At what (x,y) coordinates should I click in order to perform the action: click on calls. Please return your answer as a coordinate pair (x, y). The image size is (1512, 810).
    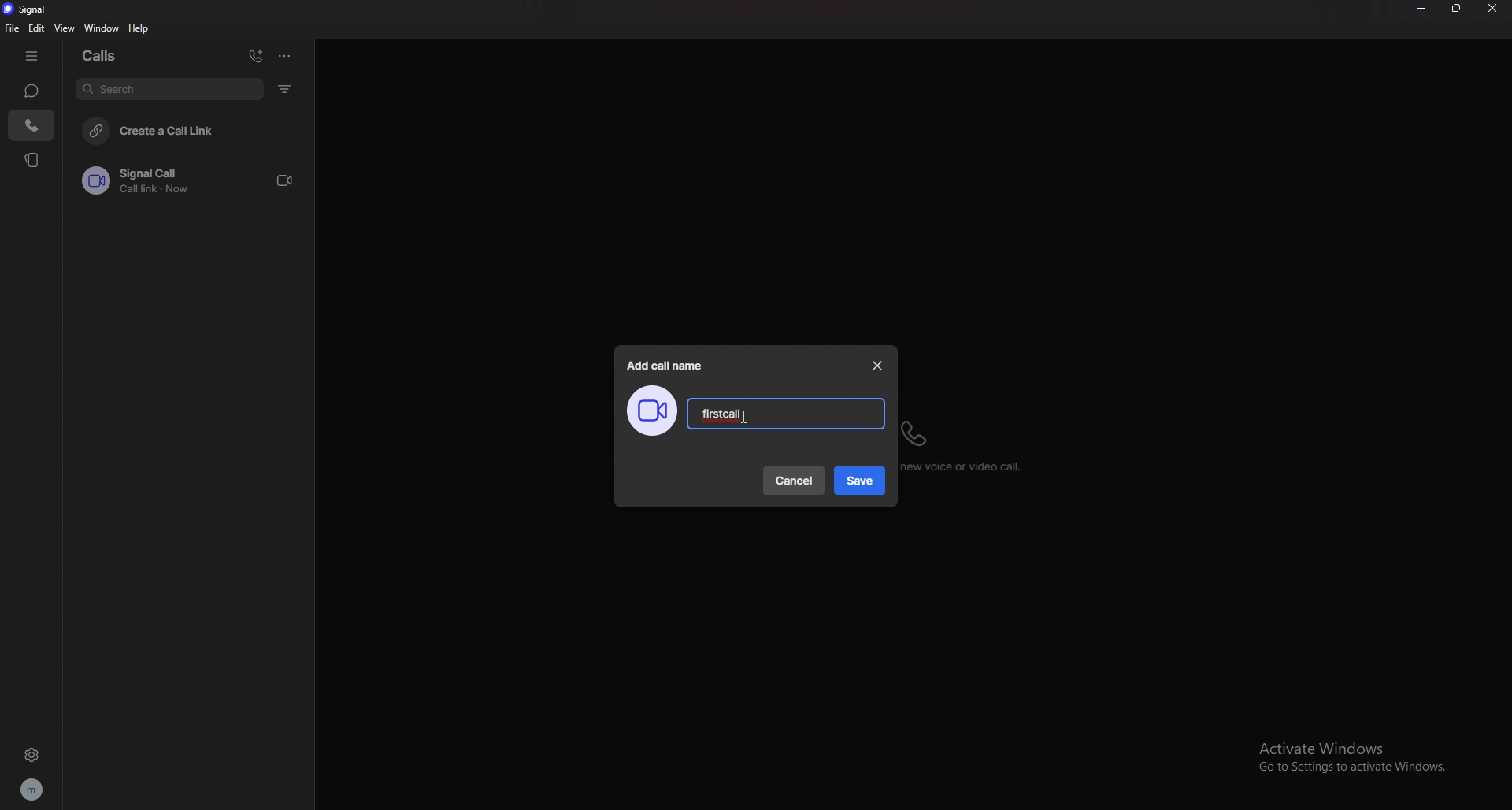
    Looking at the image, I should click on (105, 54).